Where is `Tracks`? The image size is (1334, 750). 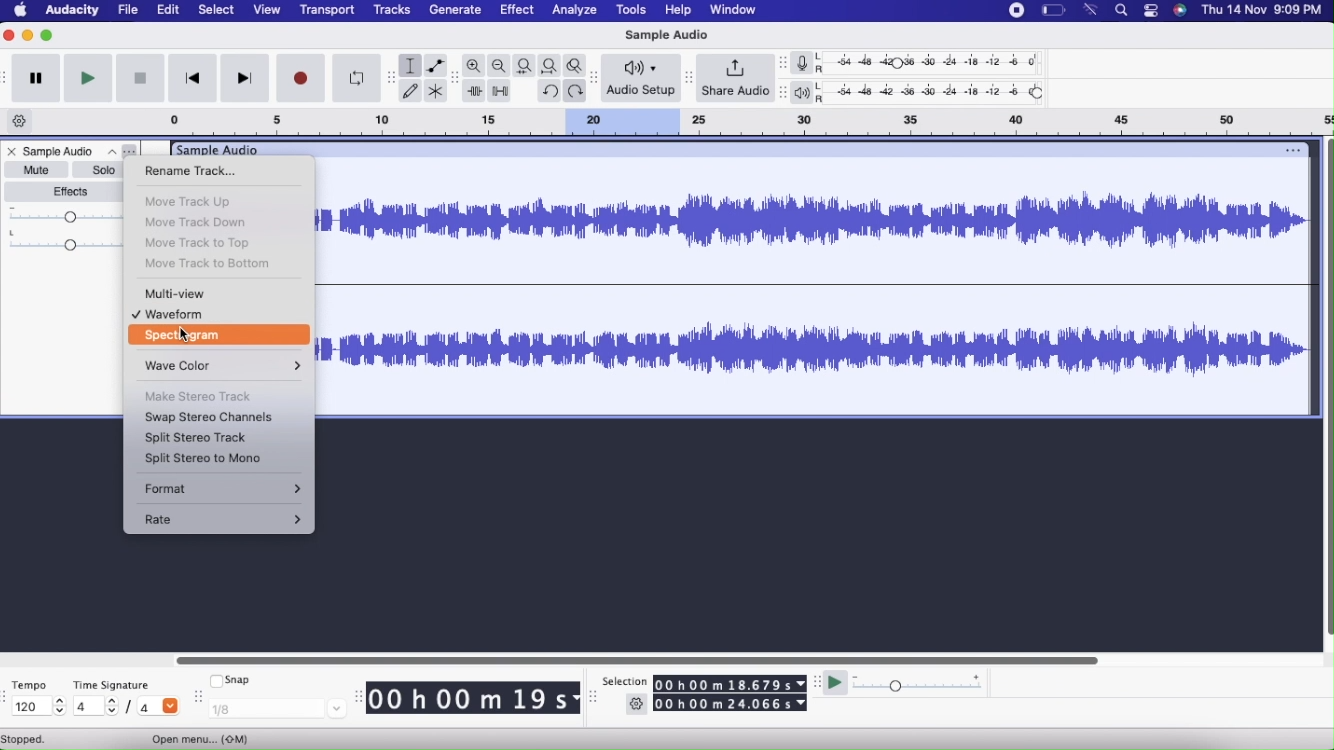
Tracks is located at coordinates (392, 10).